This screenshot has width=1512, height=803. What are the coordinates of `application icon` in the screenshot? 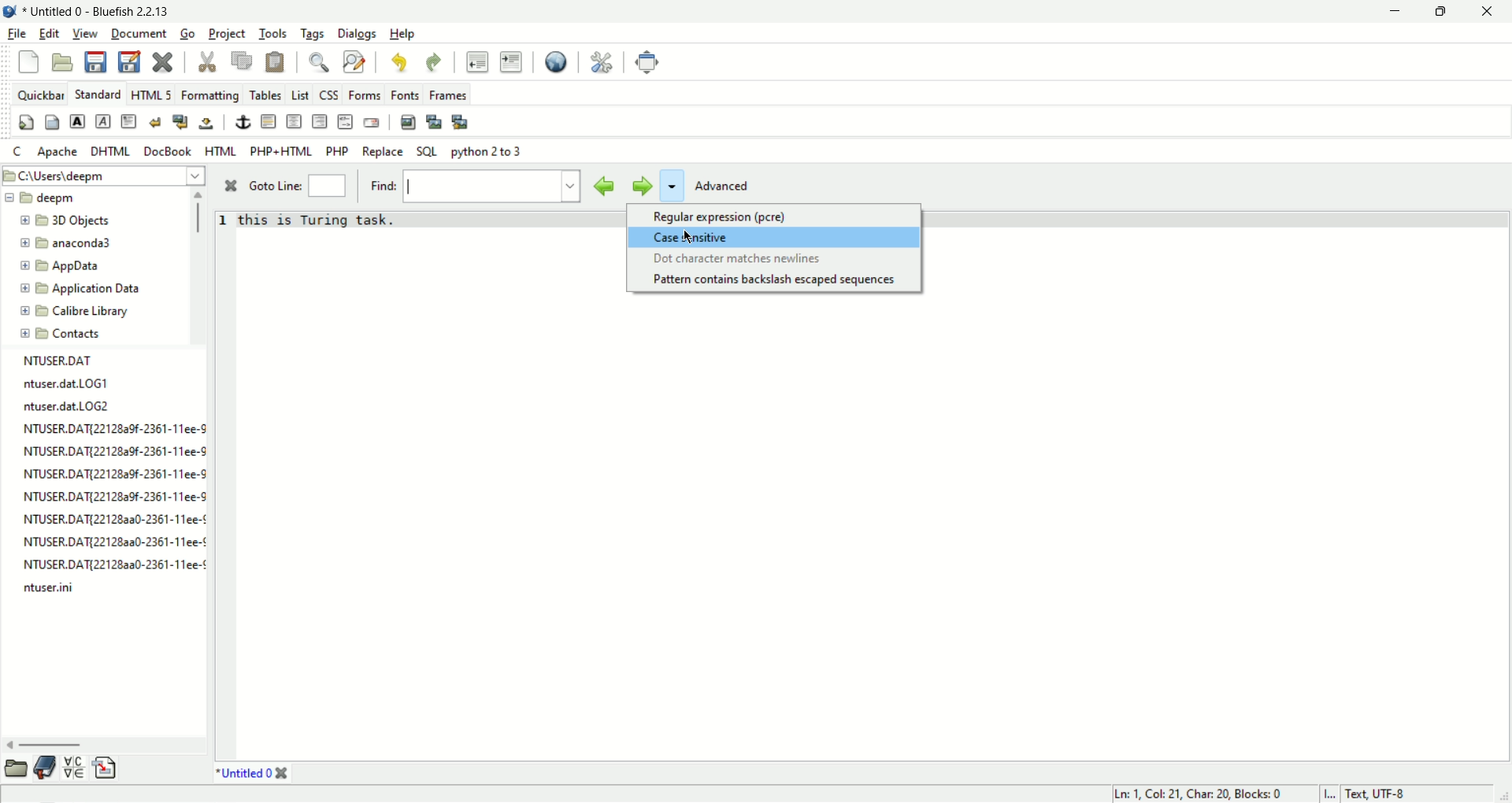 It's located at (9, 9).